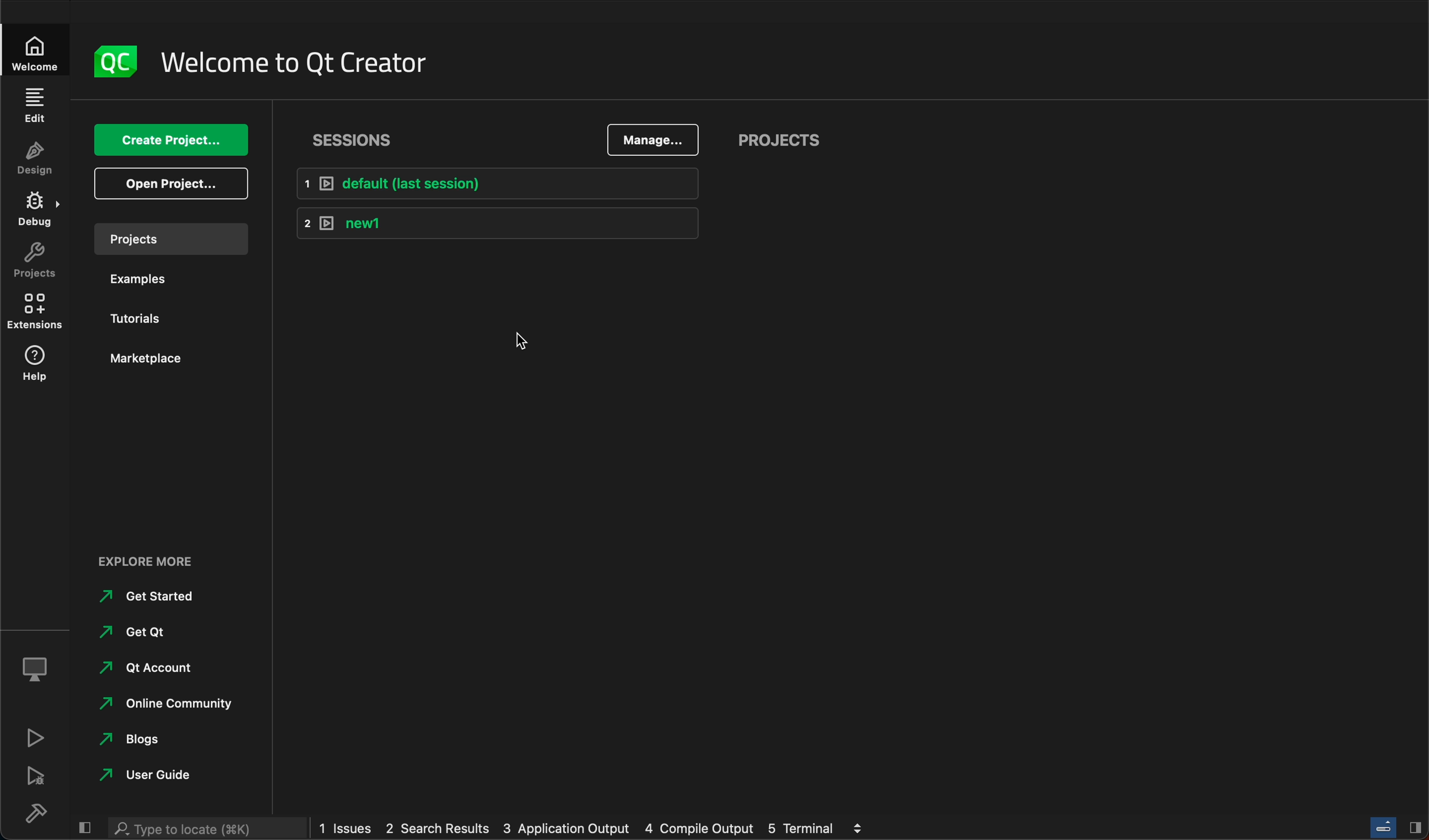  Describe the element at coordinates (168, 701) in the screenshot. I see `online` at that location.